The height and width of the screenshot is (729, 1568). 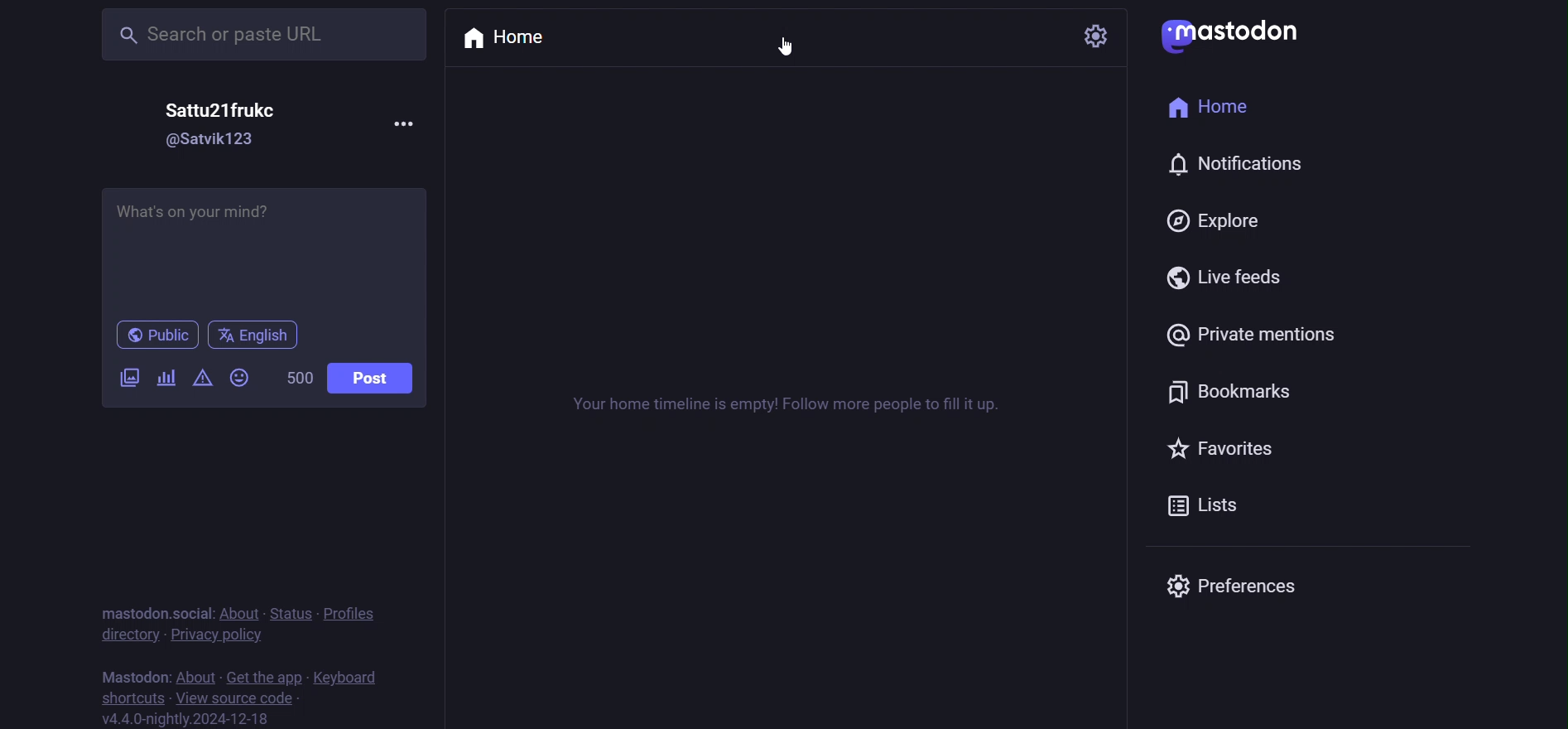 What do you see at coordinates (1248, 334) in the screenshot?
I see `private mention` at bounding box center [1248, 334].